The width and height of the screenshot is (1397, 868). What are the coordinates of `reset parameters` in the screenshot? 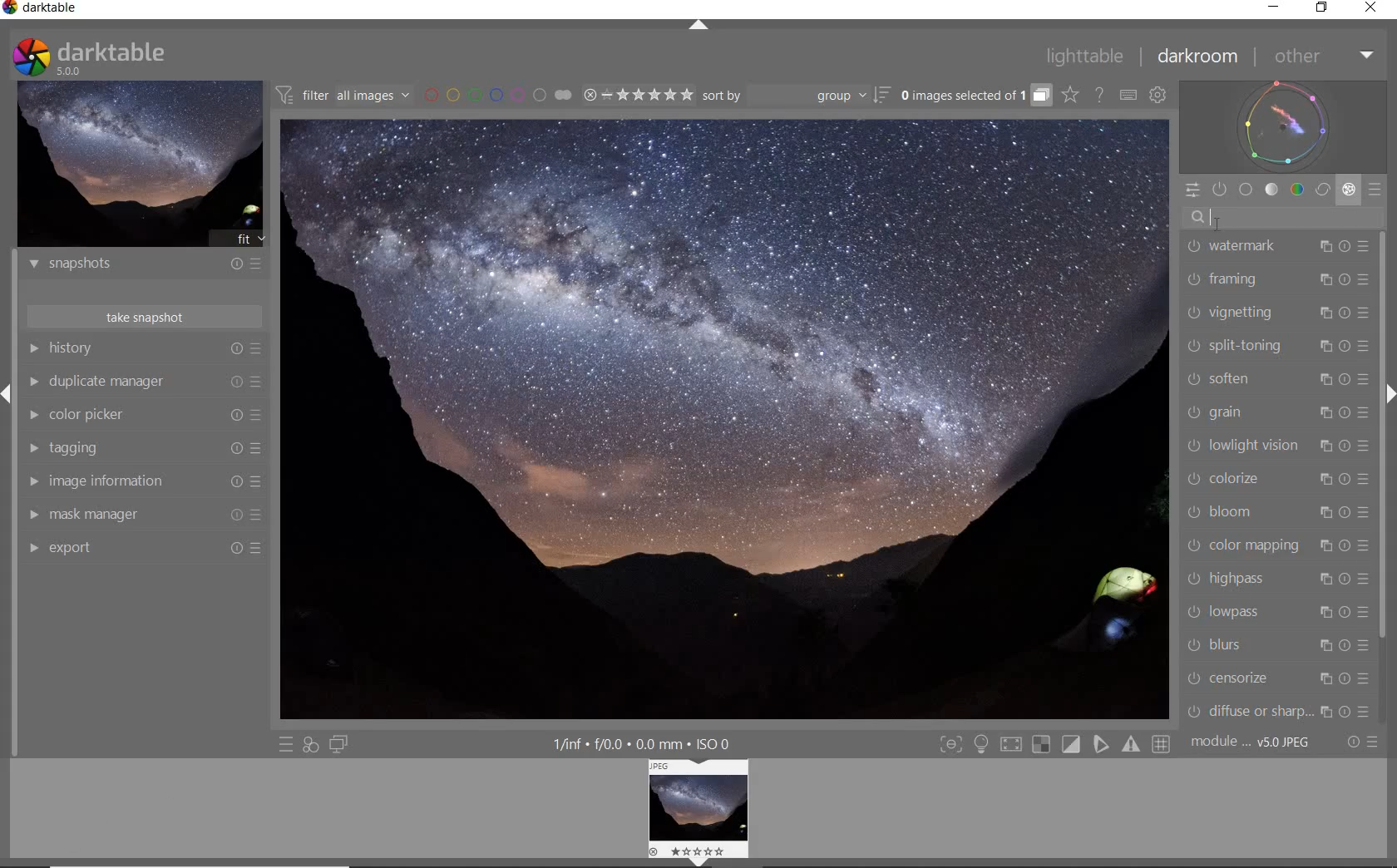 It's located at (1344, 645).